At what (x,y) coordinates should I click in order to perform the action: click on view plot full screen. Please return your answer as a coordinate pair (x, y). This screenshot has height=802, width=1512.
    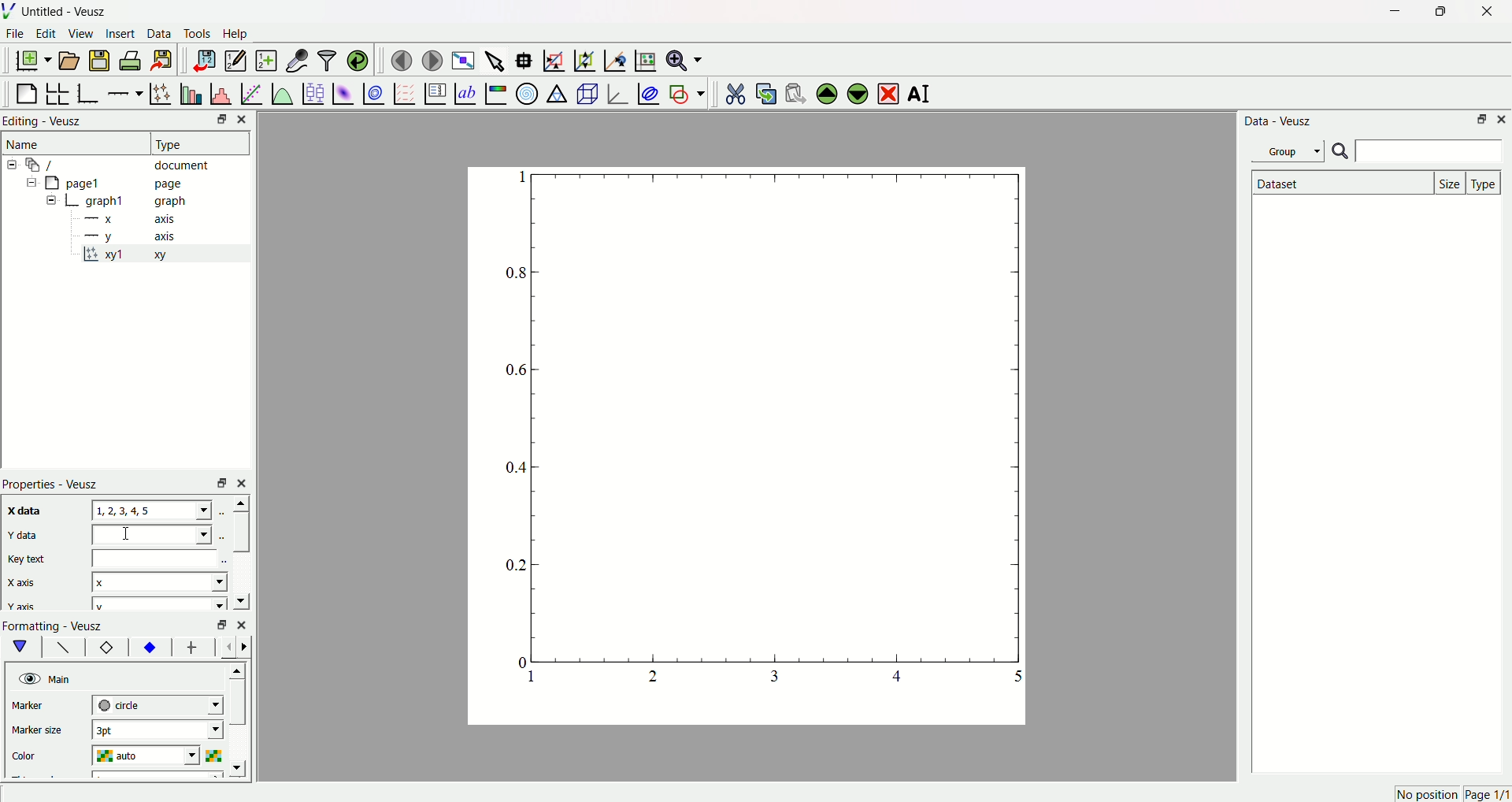
    Looking at the image, I should click on (464, 58).